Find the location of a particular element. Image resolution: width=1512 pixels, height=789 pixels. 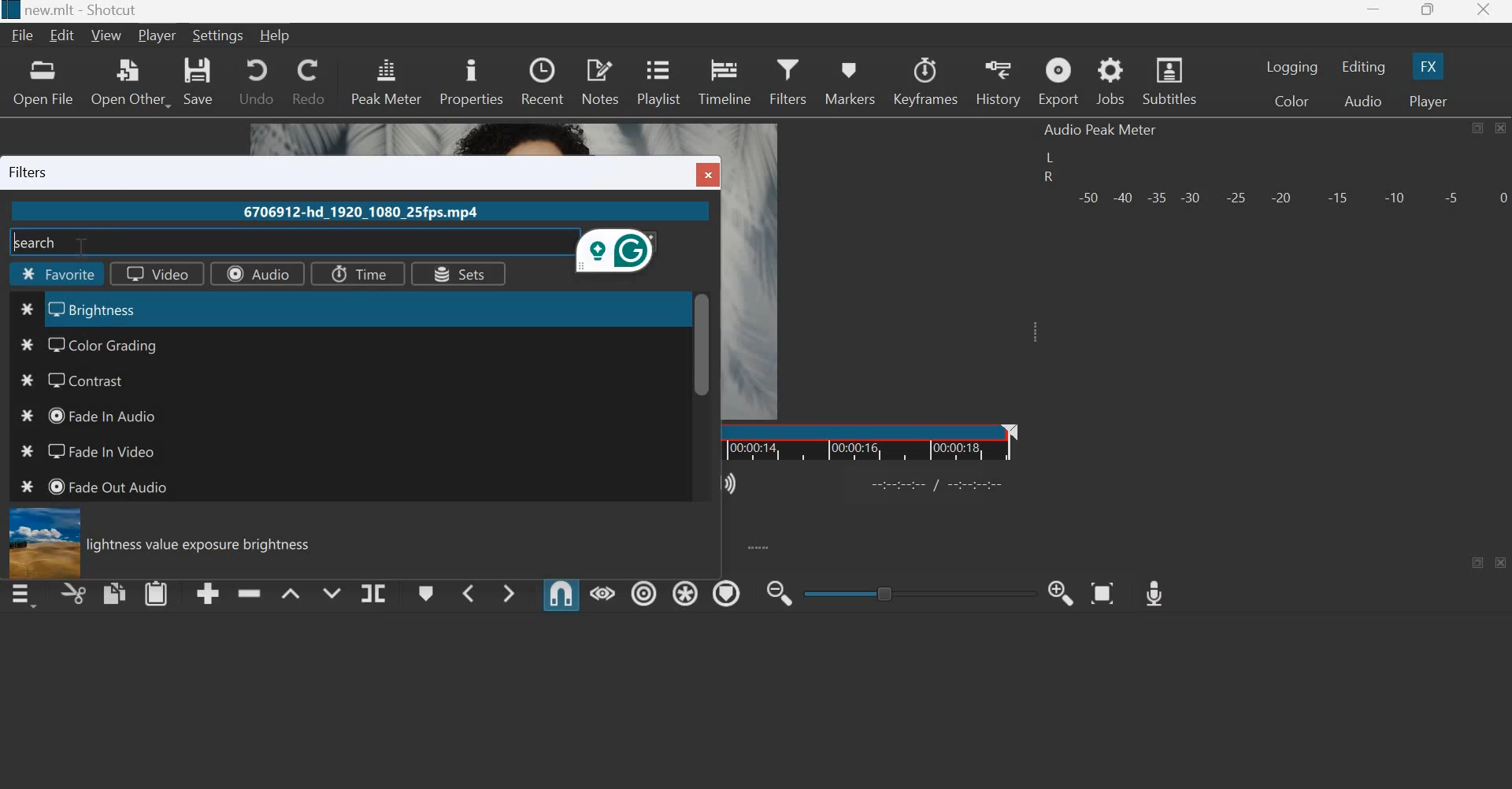

maximize is located at coordinates (1477, 128).